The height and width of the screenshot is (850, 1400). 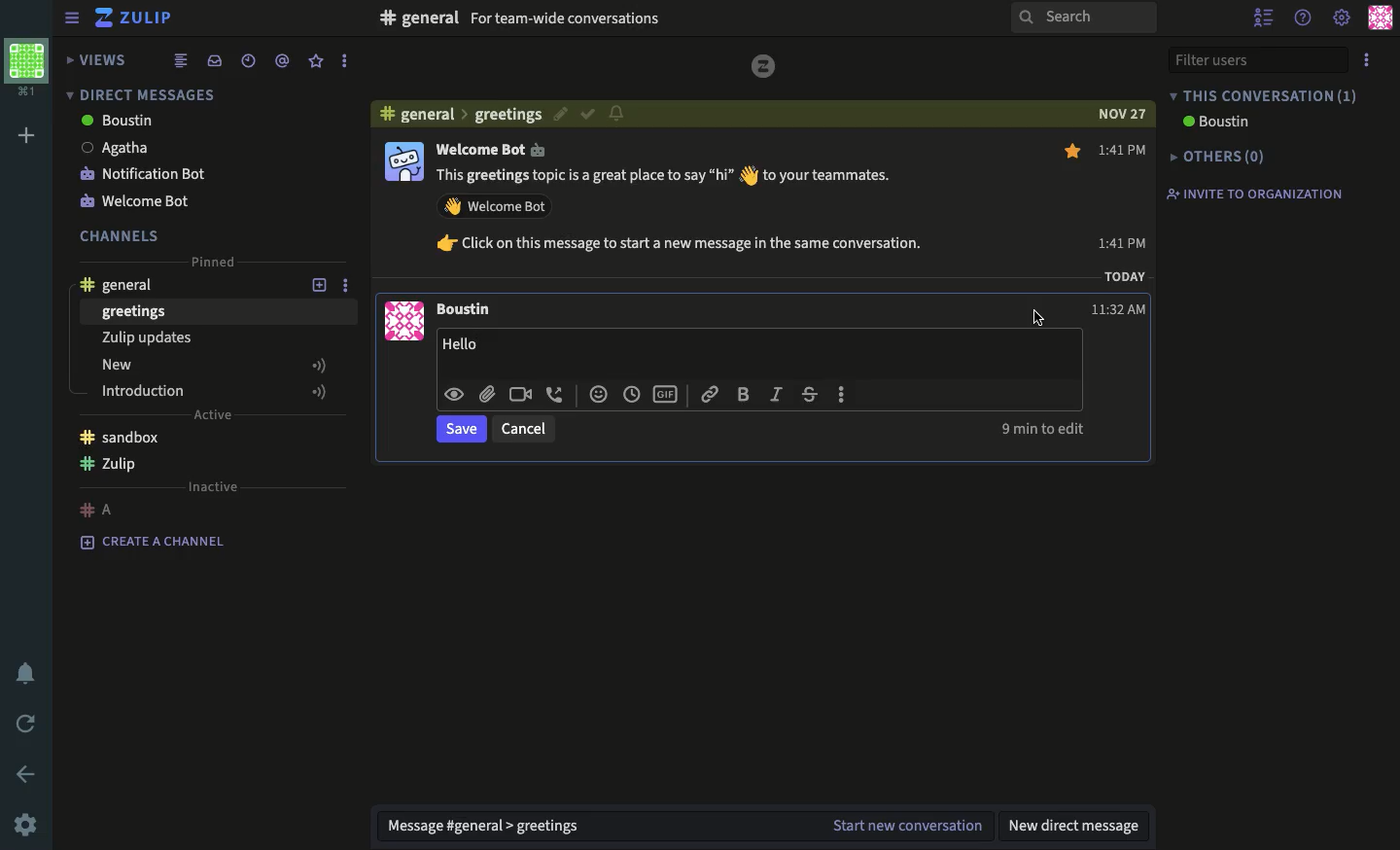 I want to click on new direct message, so click(x=1079, y=826).